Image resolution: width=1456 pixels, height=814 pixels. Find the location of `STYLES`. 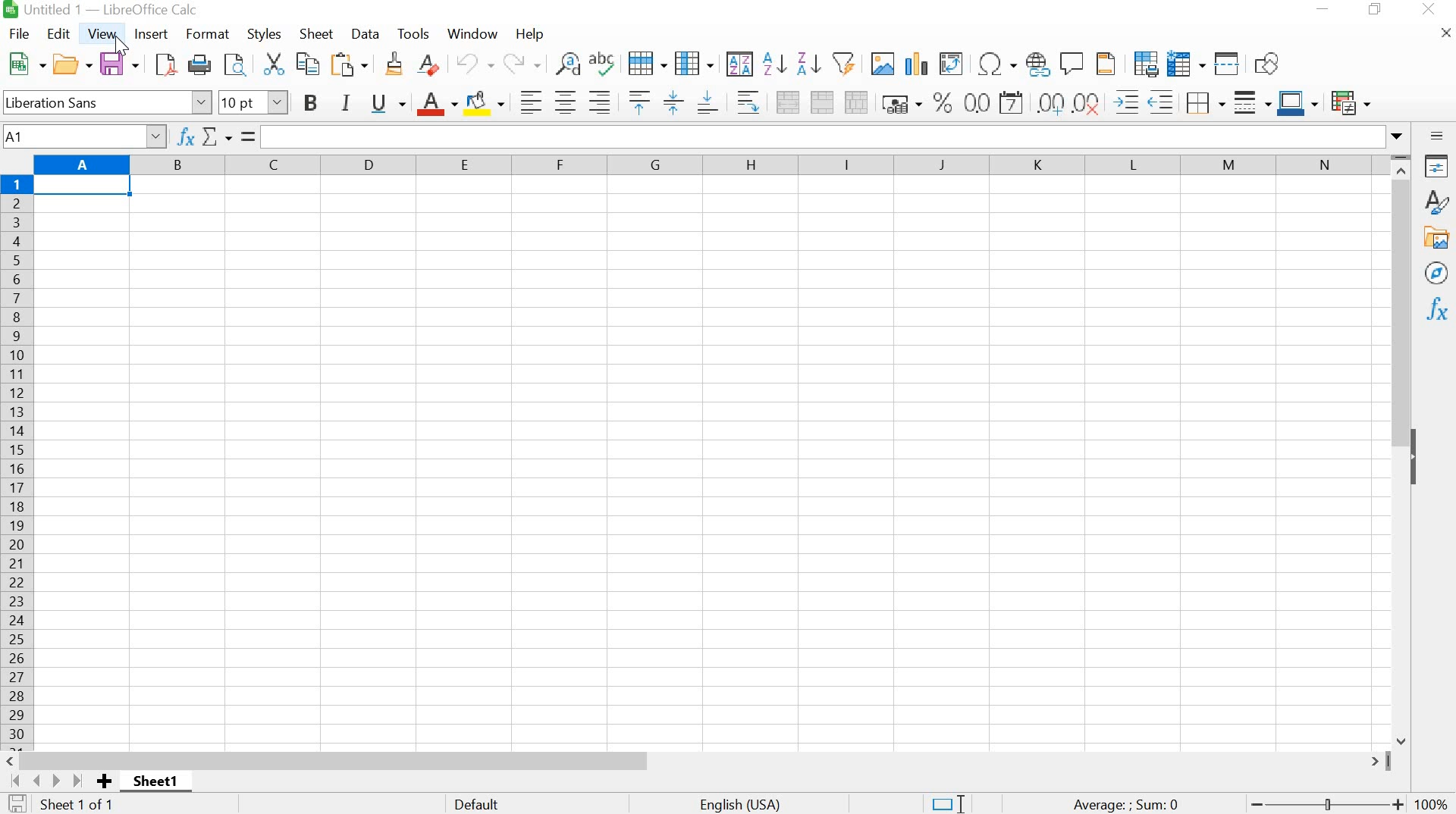

STYLES is located at coordinates (265, 33).